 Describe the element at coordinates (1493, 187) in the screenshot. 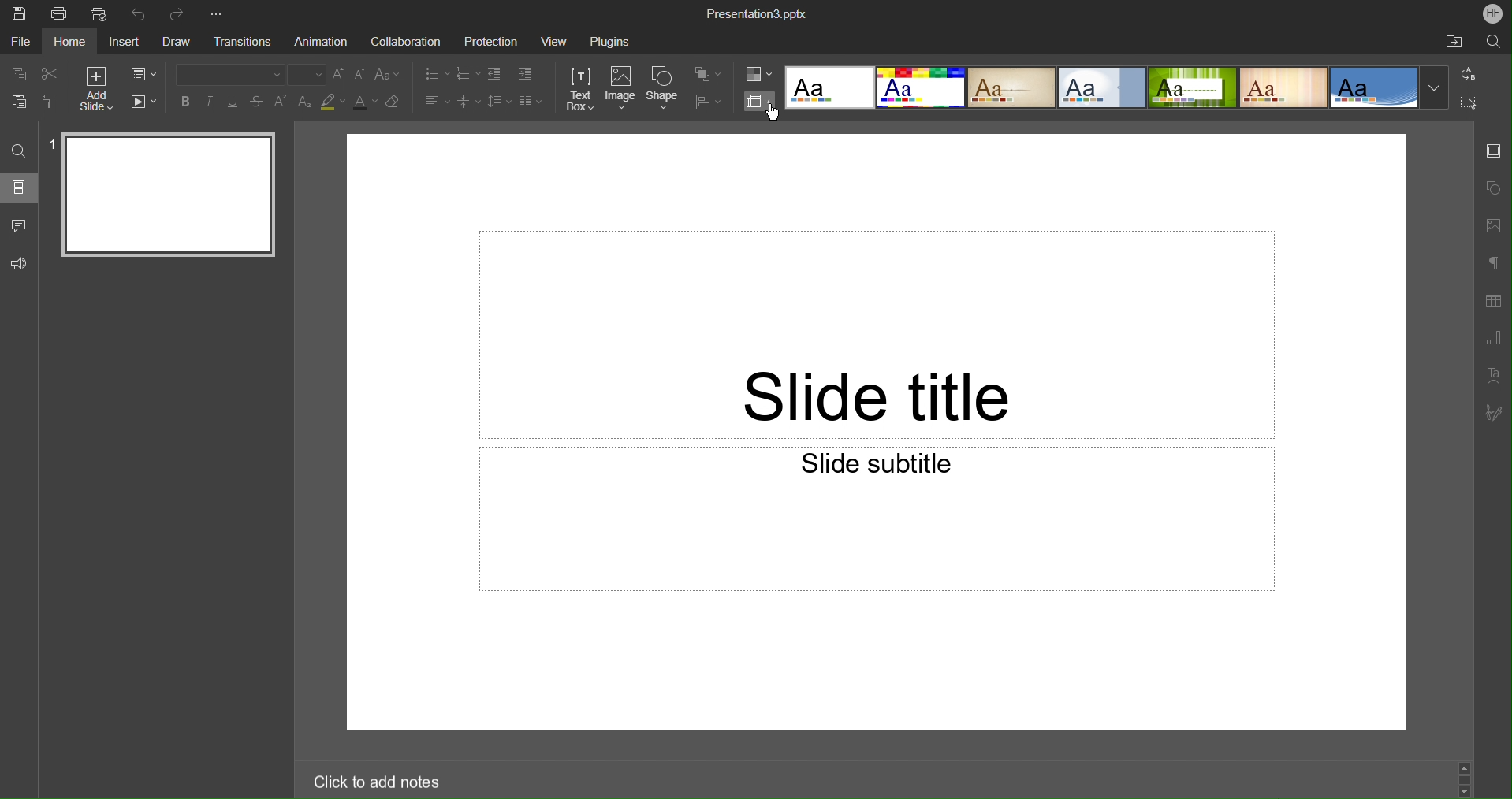

I see `Shape Settings` at that location.